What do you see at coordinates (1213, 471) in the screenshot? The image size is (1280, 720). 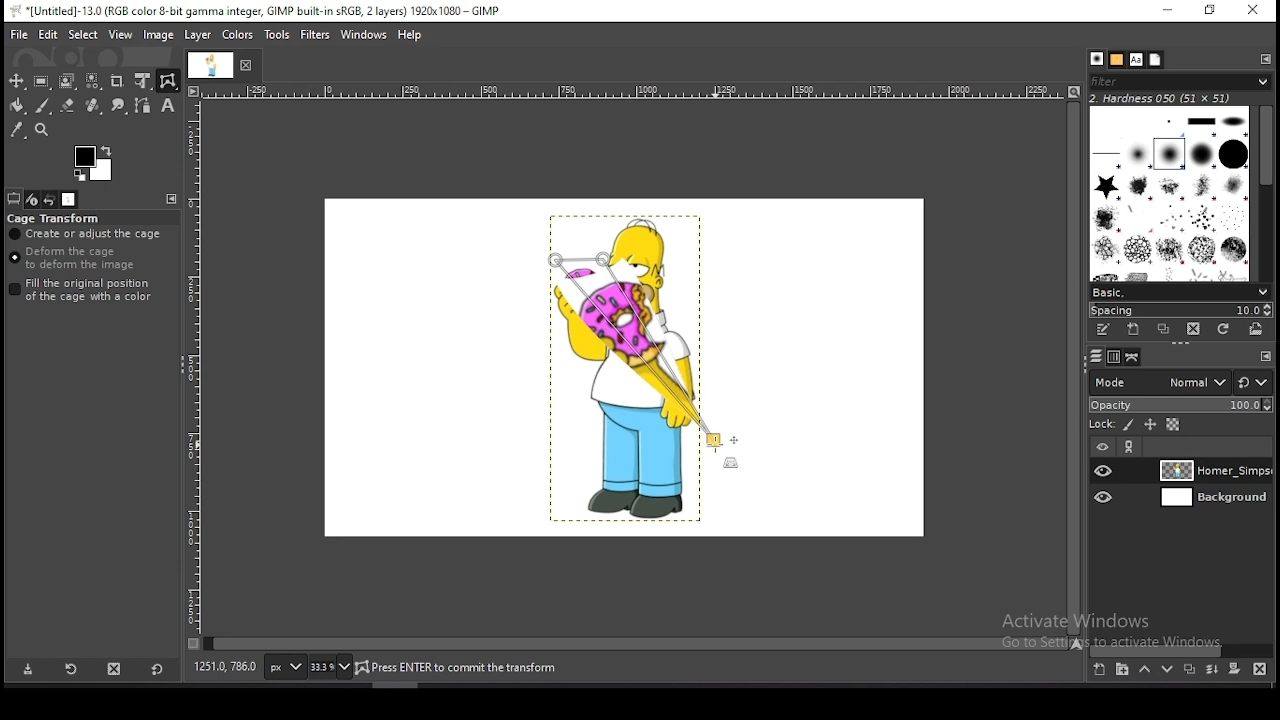 I see `layer` at bounding box center [1213, 471].